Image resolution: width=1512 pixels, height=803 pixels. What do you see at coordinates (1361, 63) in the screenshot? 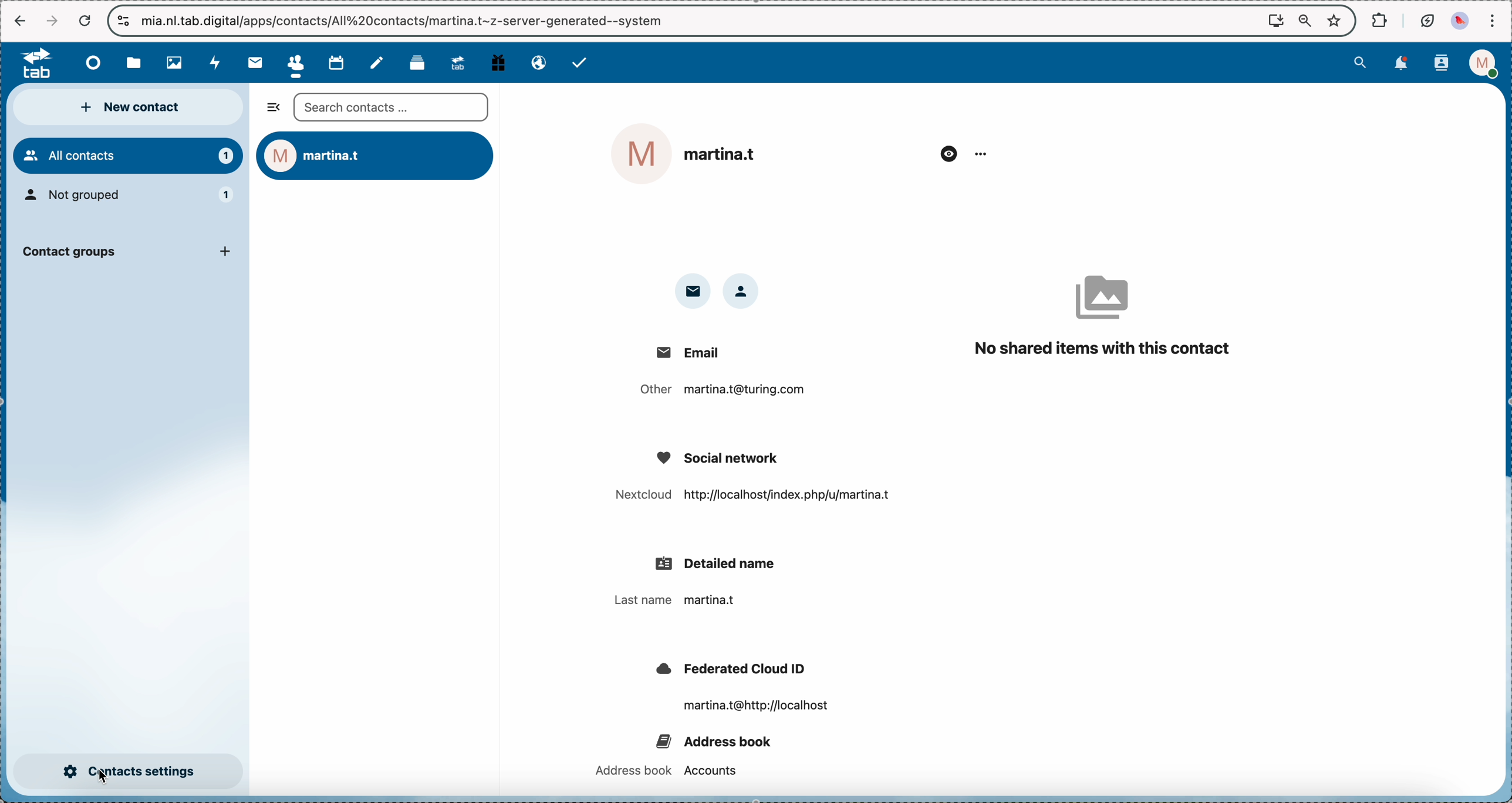
I see `search` at bounding box center [1361, 63].